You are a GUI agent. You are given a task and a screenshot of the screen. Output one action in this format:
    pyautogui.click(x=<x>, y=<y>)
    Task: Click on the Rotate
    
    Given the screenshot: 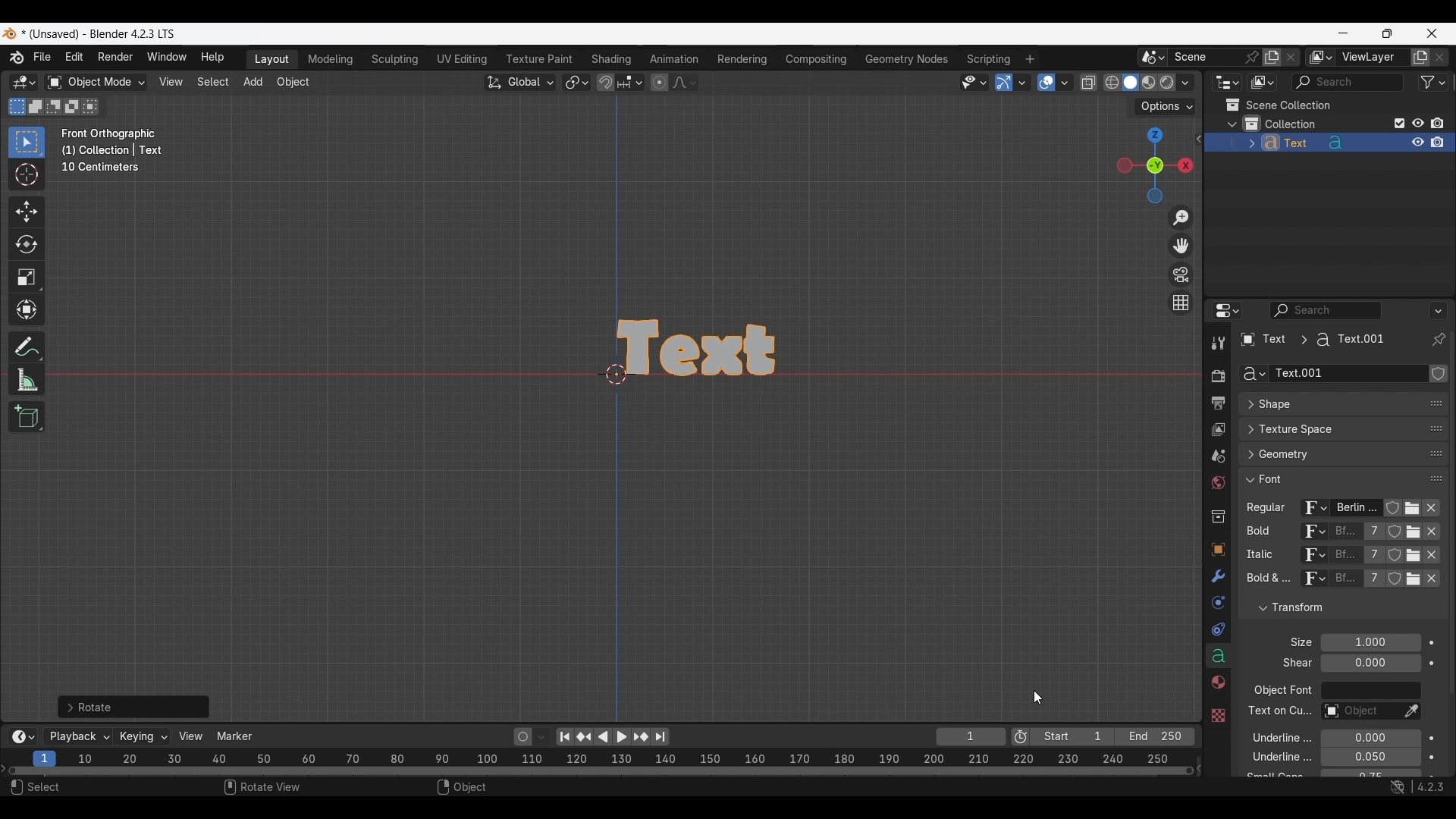 What is the action you would take?
    pyautogui.click(x=27, y=244)
    